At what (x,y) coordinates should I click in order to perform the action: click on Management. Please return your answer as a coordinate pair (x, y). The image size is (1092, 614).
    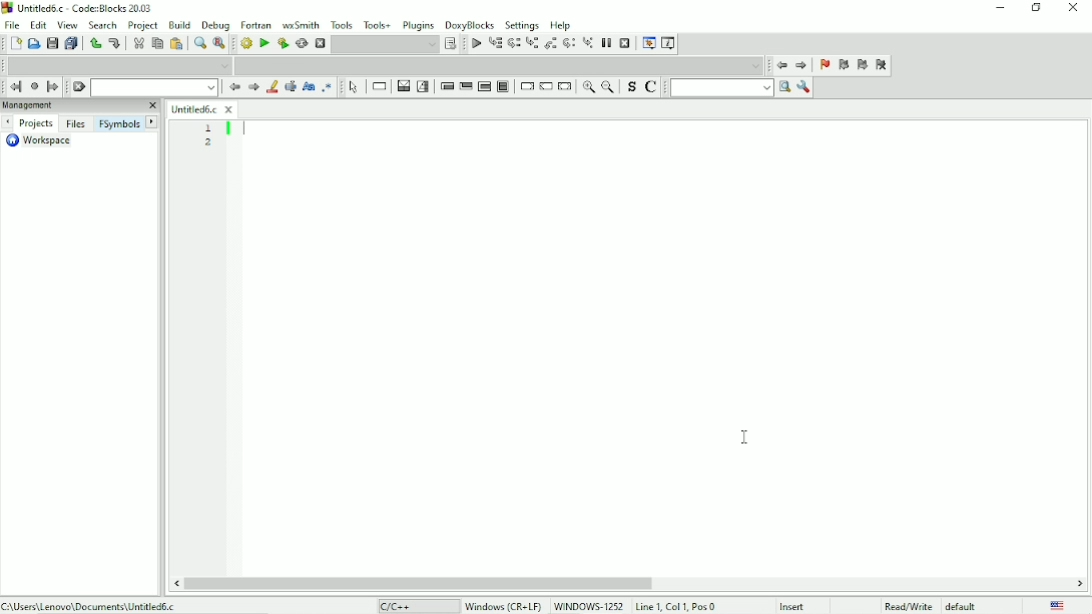
    Looking at the image, I should click on (80, 106).